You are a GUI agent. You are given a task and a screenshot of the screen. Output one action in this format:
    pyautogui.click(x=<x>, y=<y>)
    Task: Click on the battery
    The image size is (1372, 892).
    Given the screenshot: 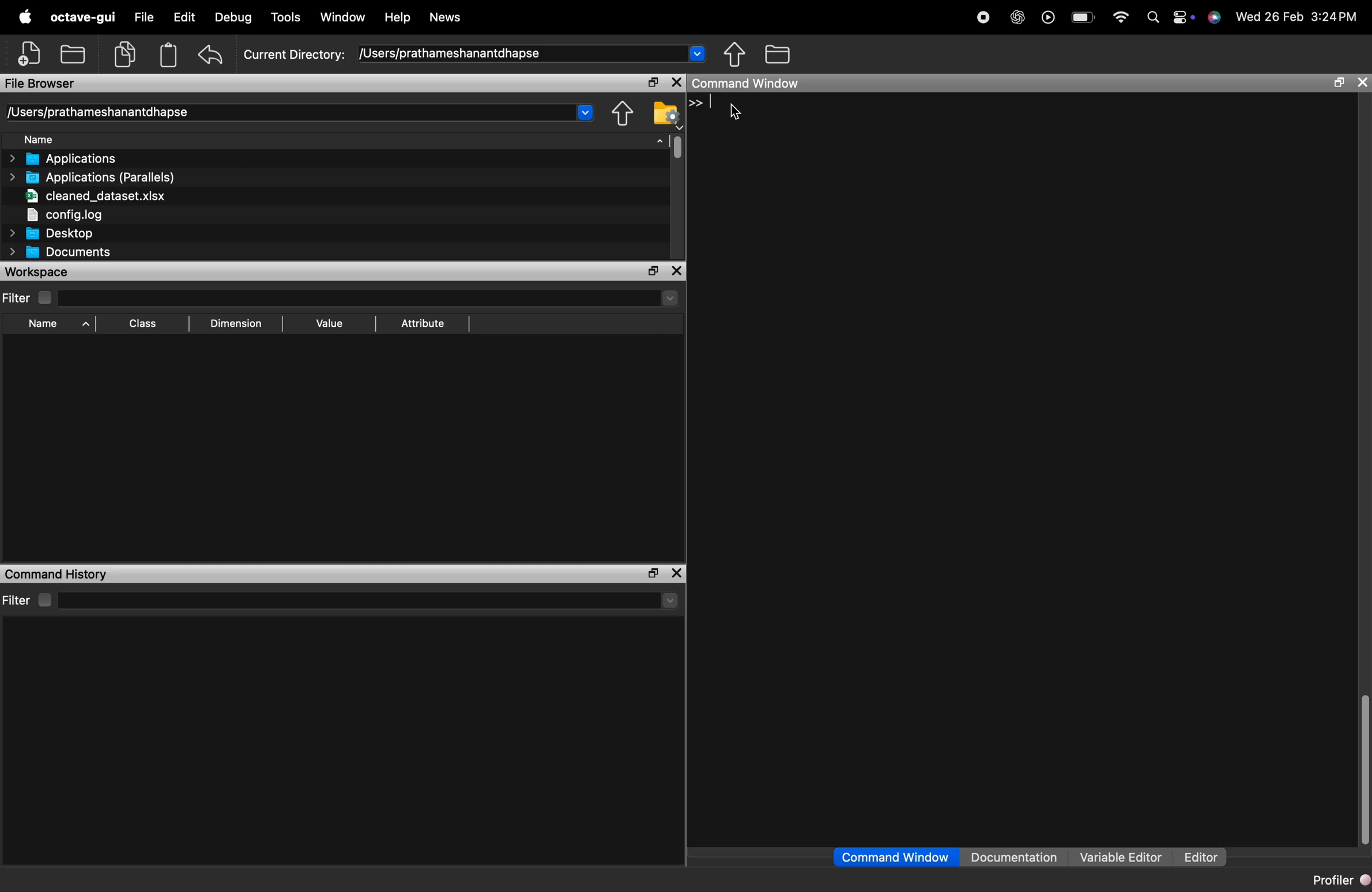 What is the action you would take?
    pyautogui.click(x=1079, y=18)
    